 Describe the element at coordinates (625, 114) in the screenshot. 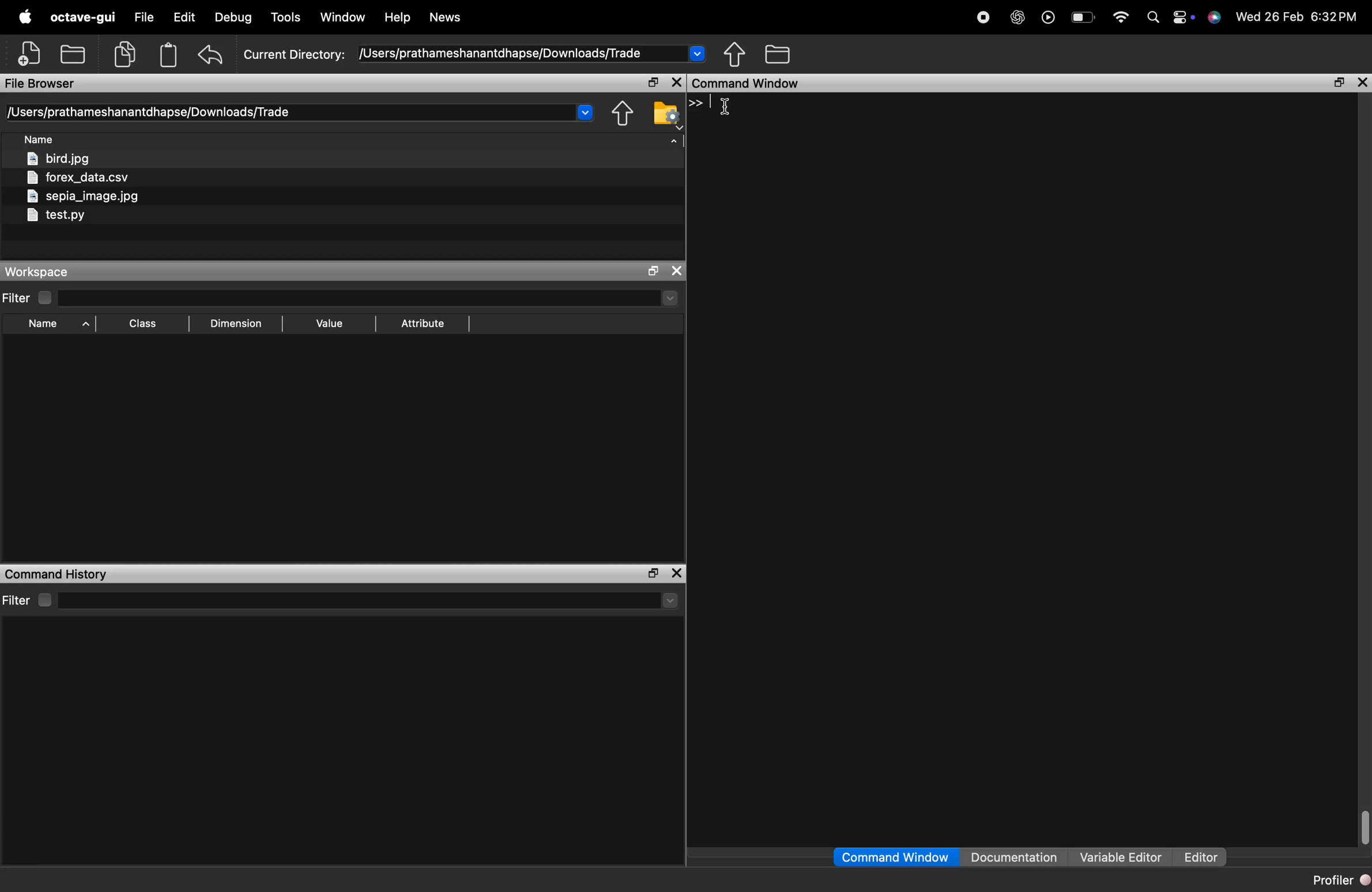

I see `one directory up` at that location.